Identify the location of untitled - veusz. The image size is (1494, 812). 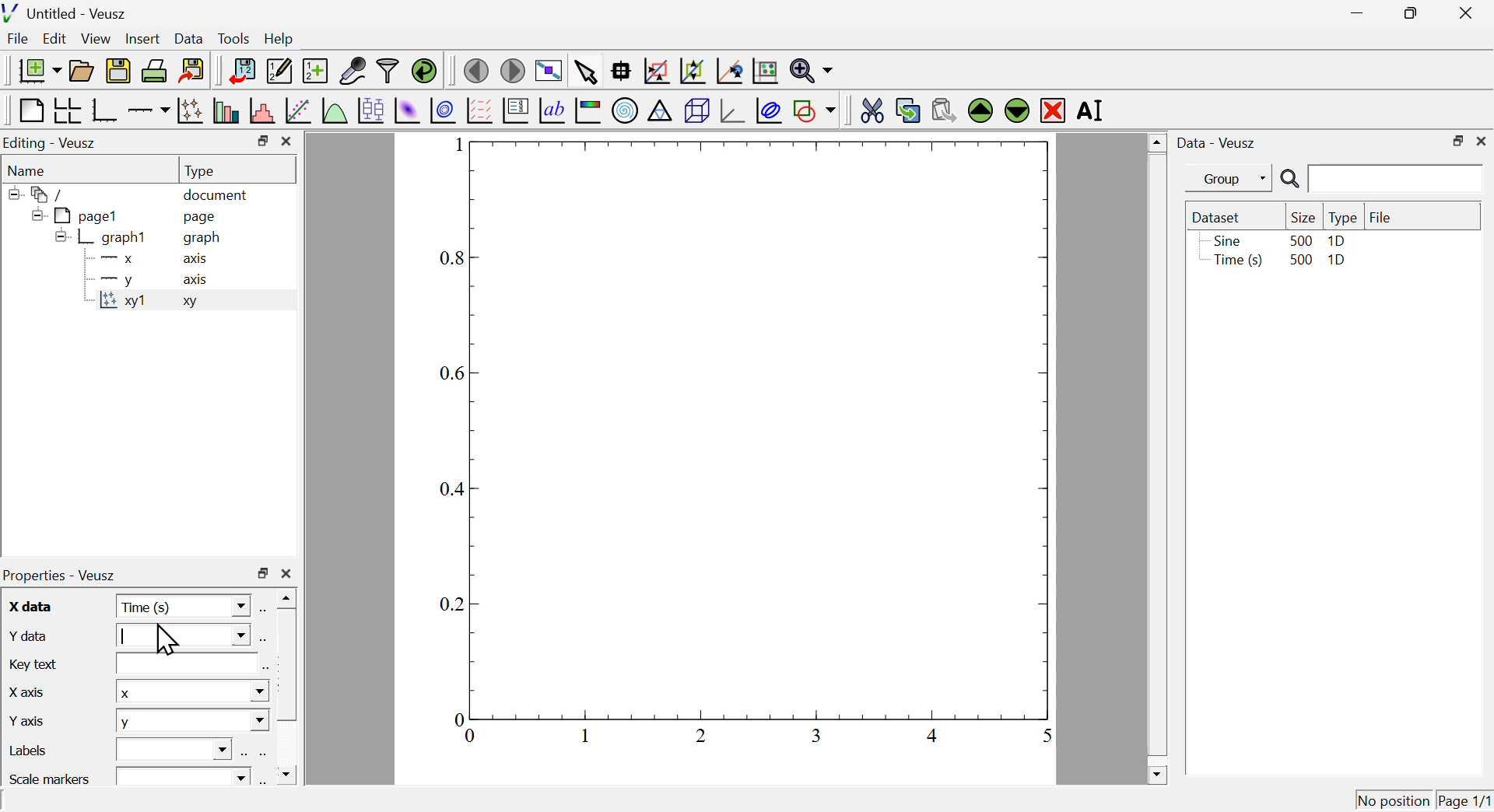
(67, 12).